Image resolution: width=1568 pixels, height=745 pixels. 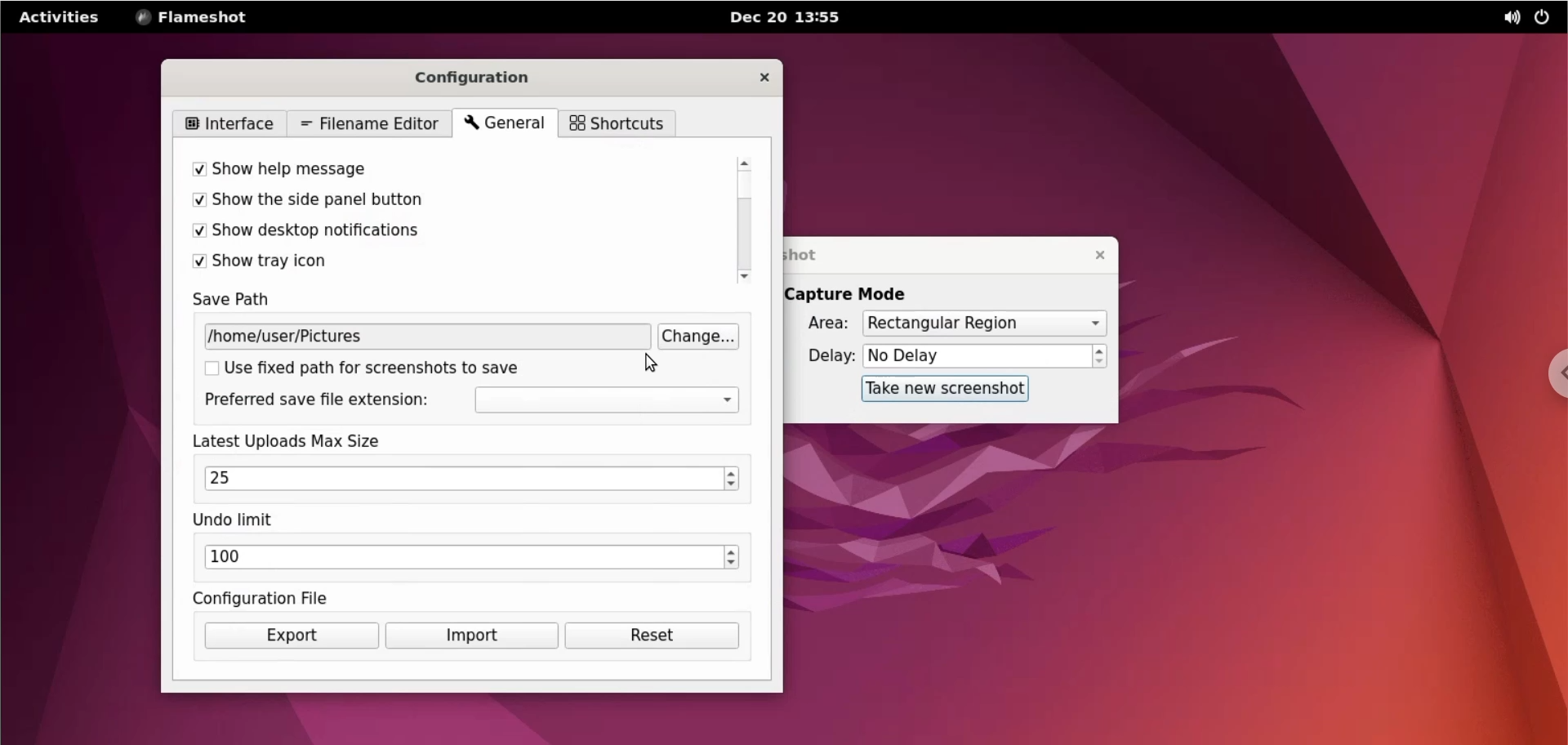 I want to click on scrollbar, so click(x=742, y=220).